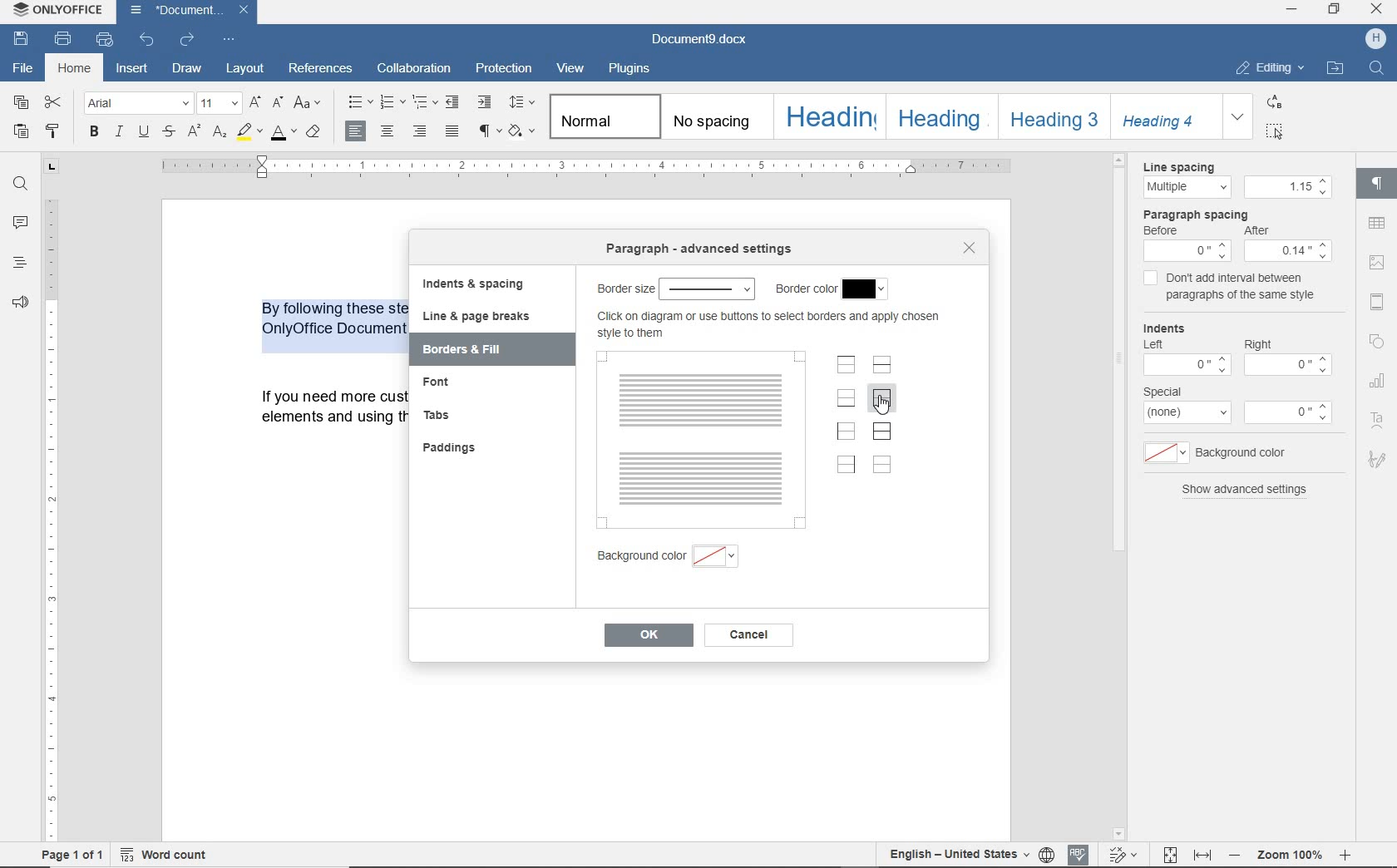  What do you see at coordinates (970, 248) in the screenshot?
I see `close` at bounding box center [970, 248].